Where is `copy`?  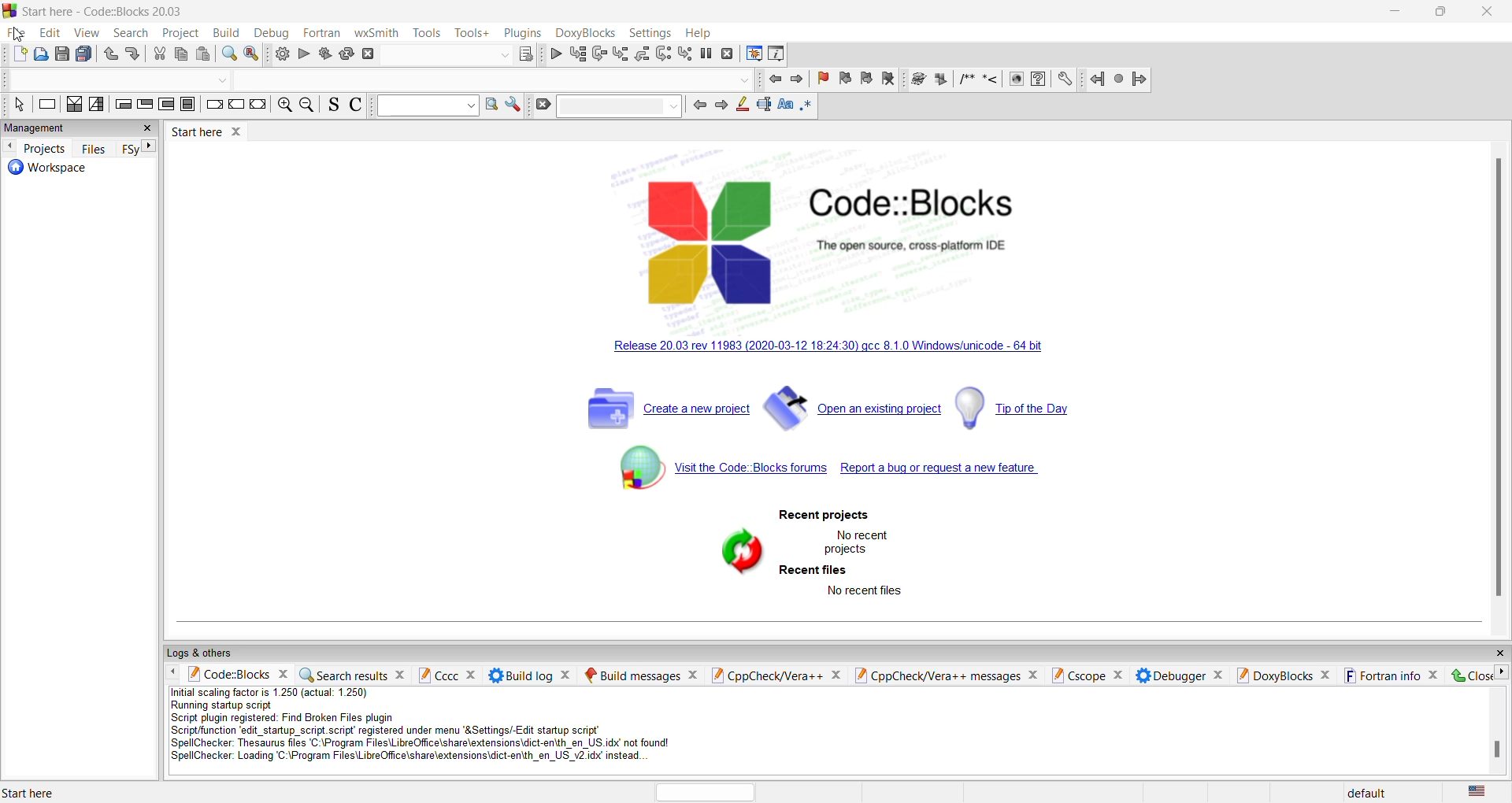 copy is located at coordinates (181, 54).